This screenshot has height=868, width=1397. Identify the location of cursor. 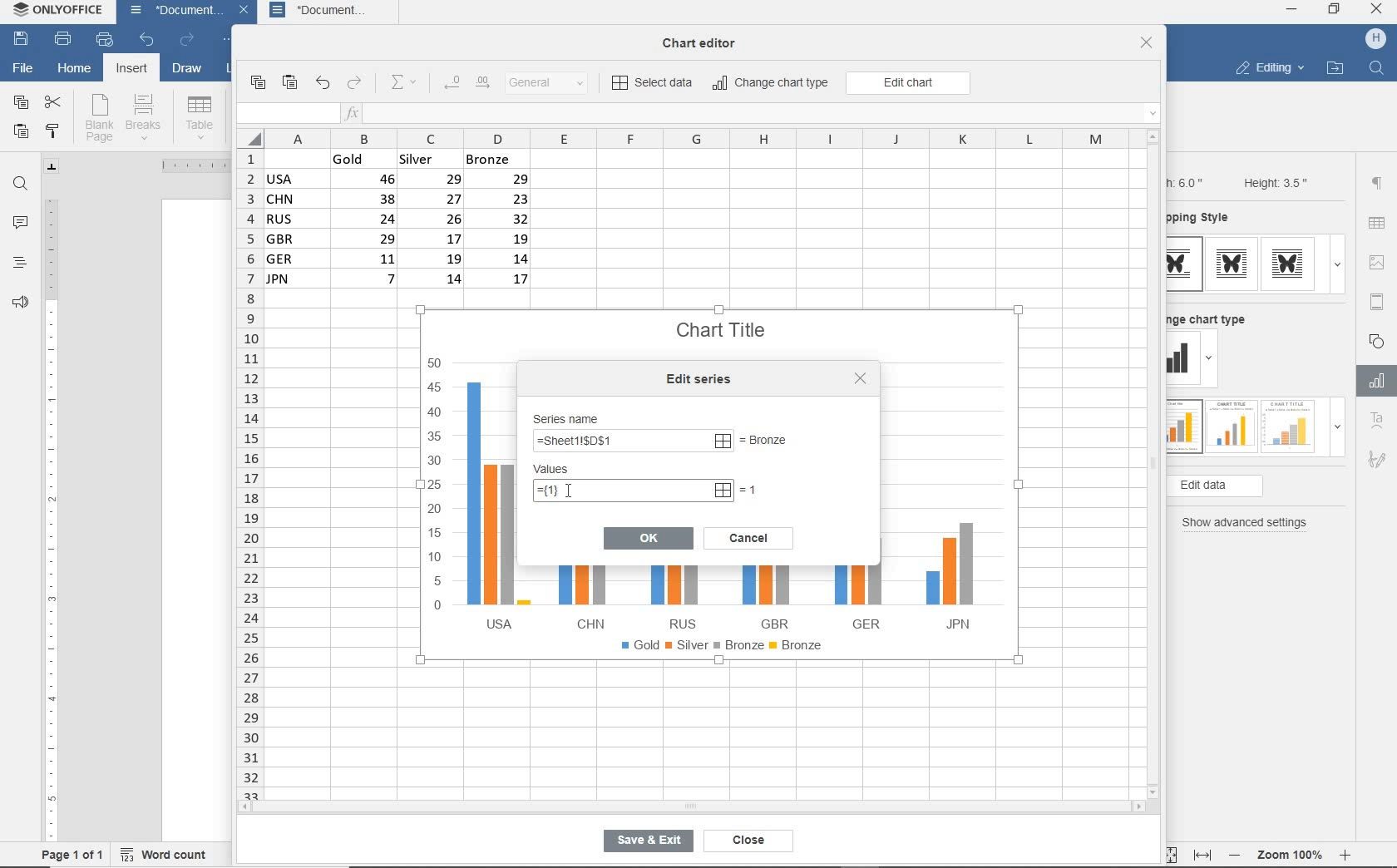
(566, 489).